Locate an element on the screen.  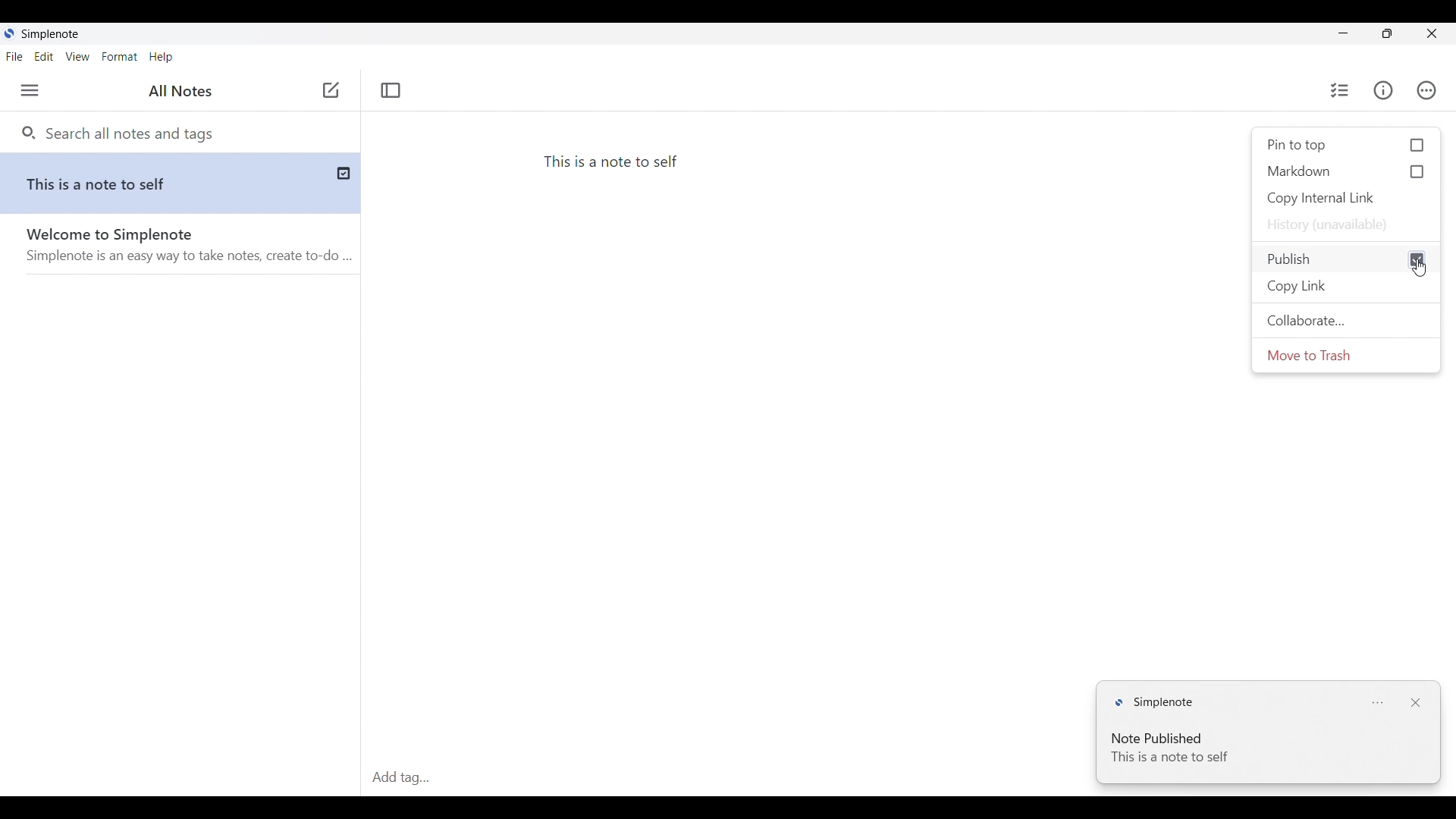
publish is located at coordinates (1331, 259).